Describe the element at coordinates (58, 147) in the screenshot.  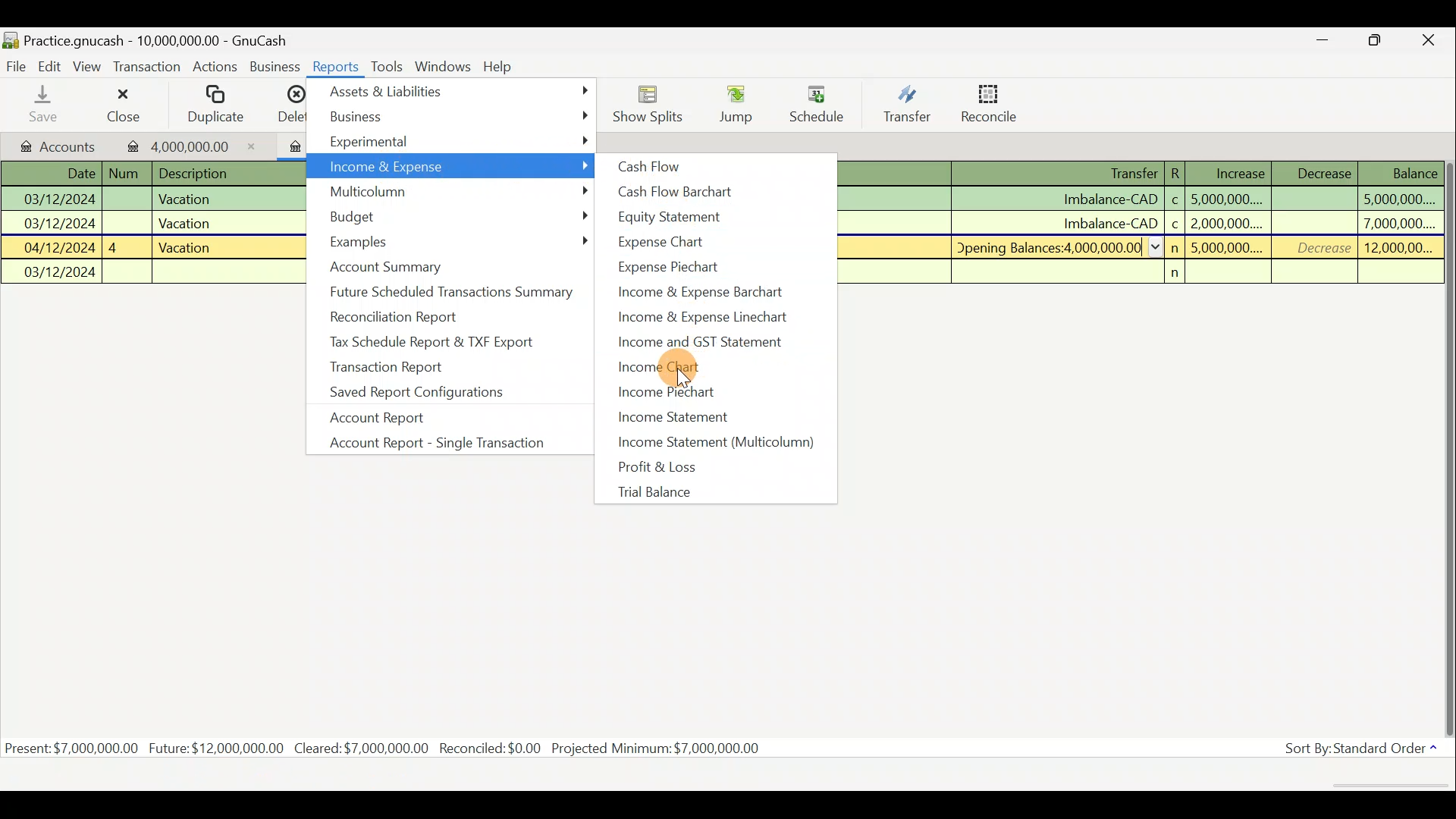
I see `Accounts` at that location.